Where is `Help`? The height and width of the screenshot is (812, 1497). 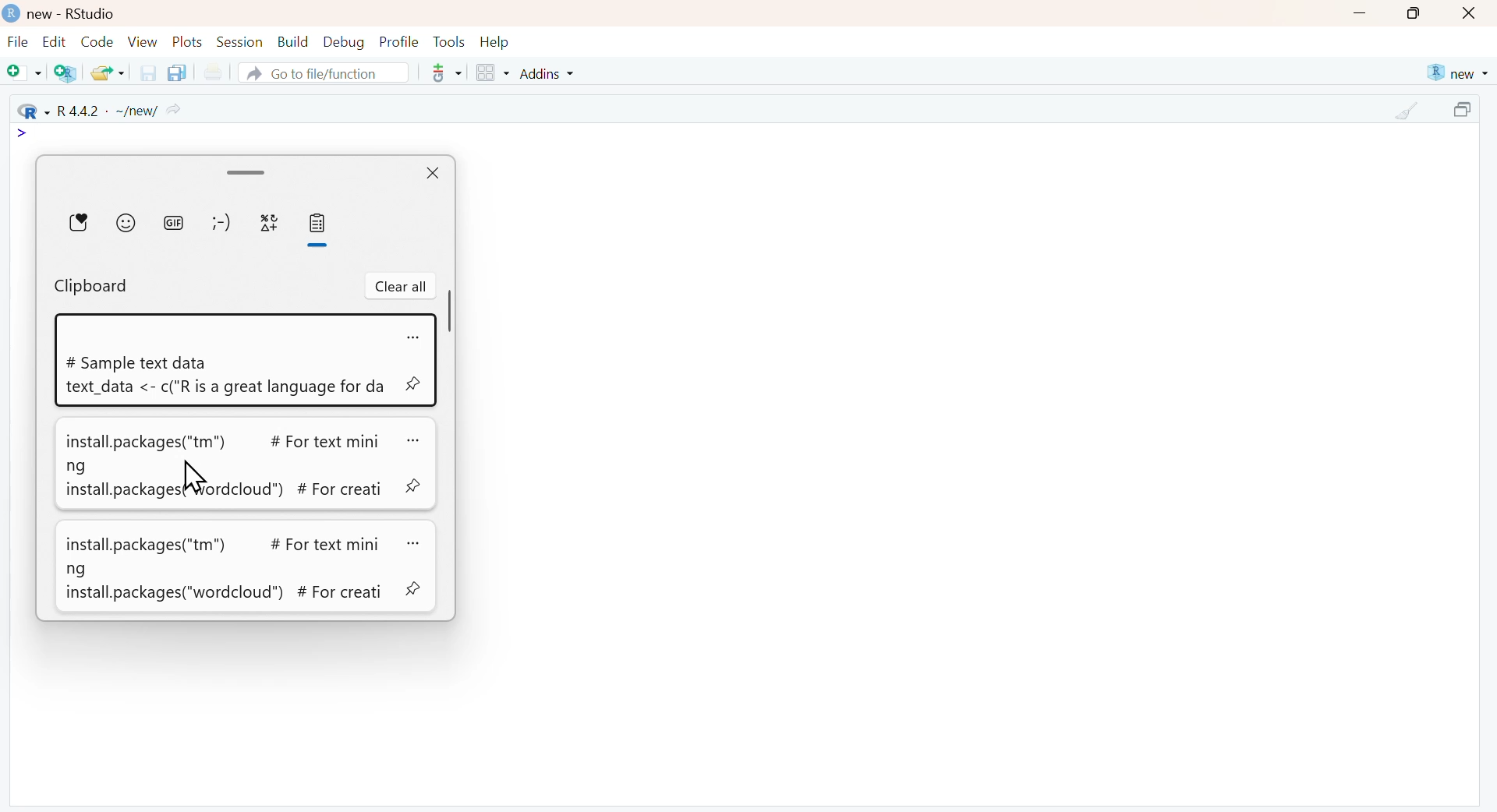 Help is located at coordinates (495, 42).